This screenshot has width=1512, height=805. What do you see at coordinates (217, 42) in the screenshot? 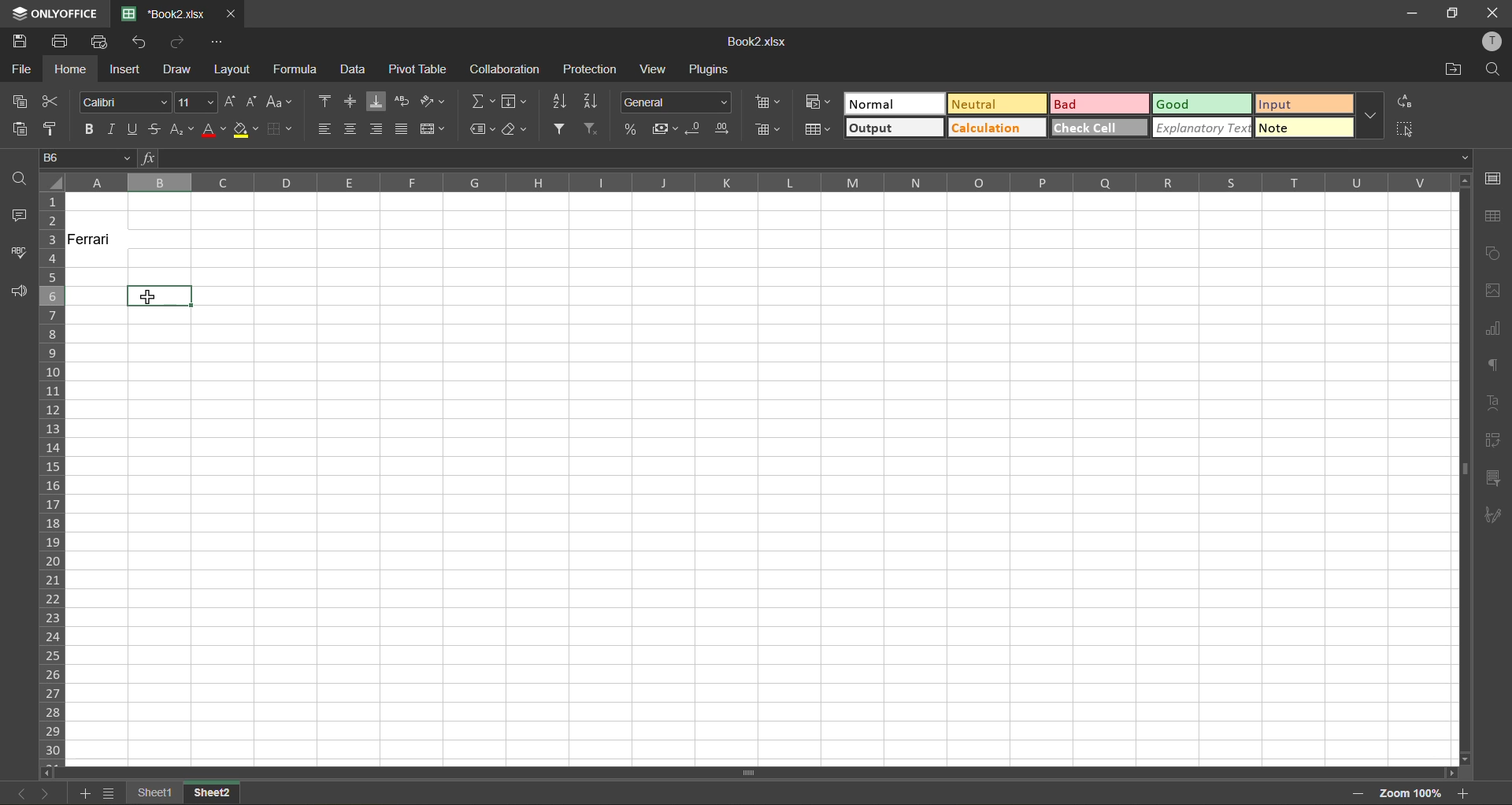
I see `customize quick access toolbar` at bounding box center [217, 42].